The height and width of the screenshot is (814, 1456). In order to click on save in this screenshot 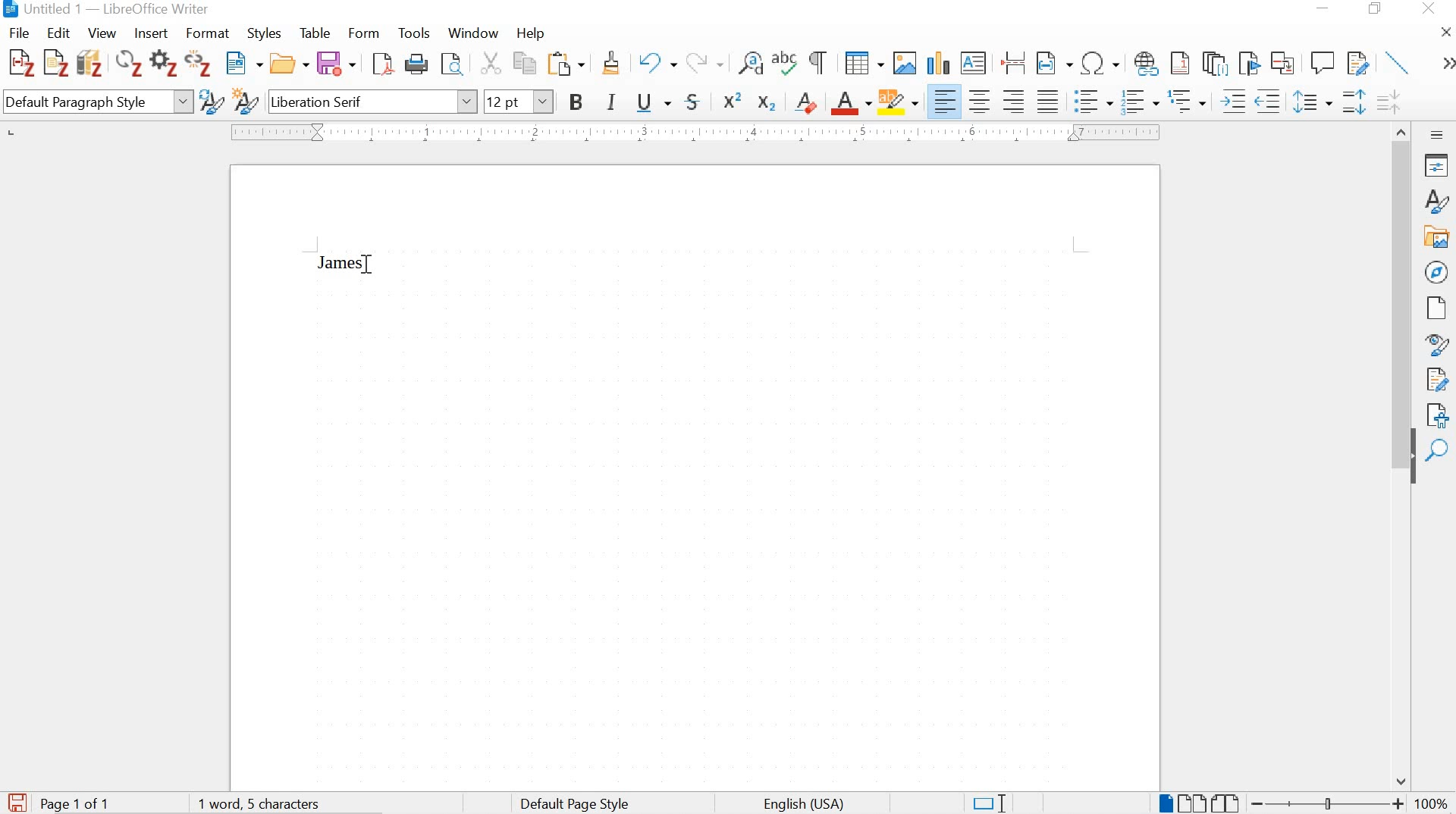, I will do `click(17, 800)`.